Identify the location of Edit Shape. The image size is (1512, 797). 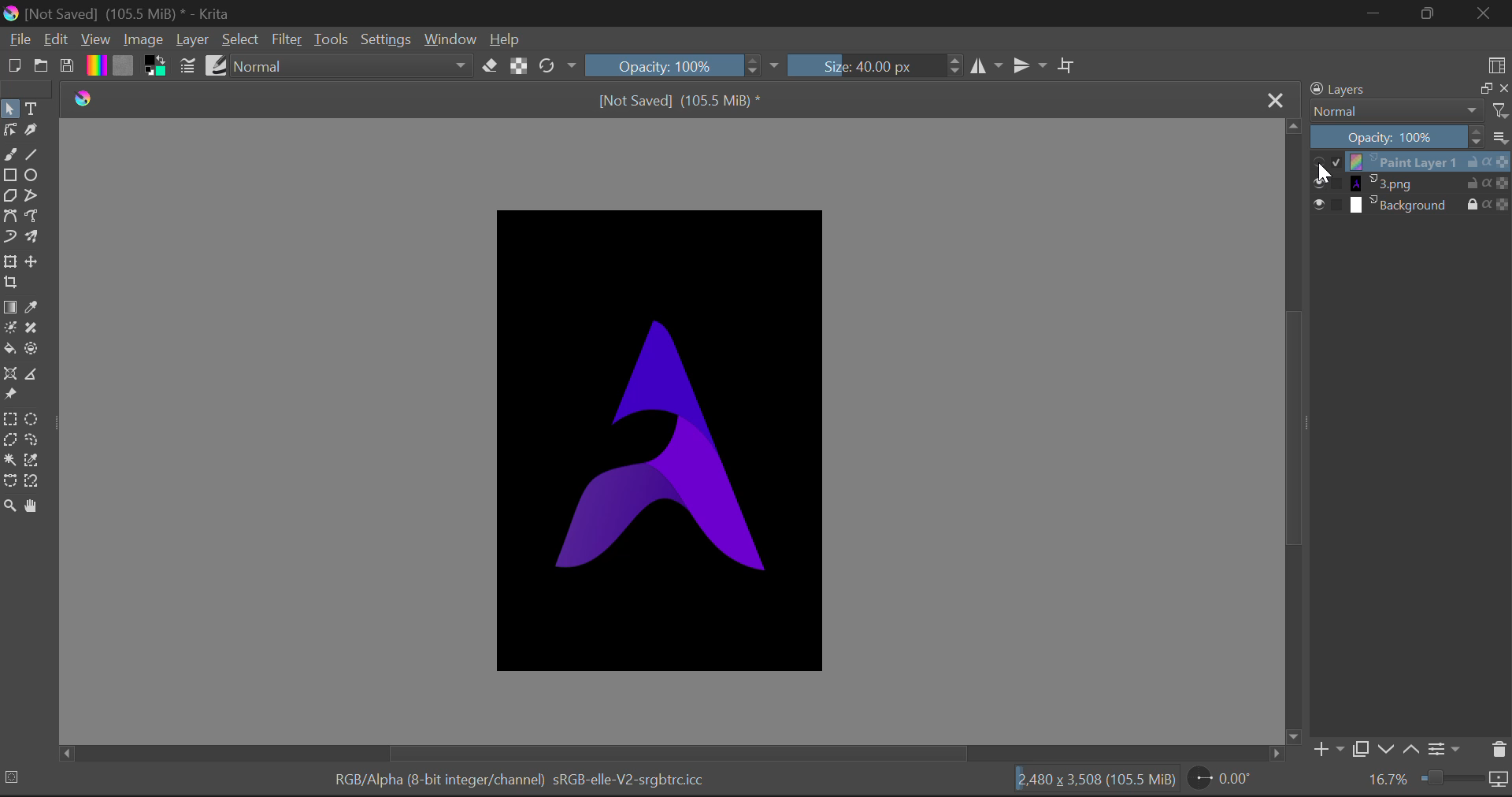
(9, 130).